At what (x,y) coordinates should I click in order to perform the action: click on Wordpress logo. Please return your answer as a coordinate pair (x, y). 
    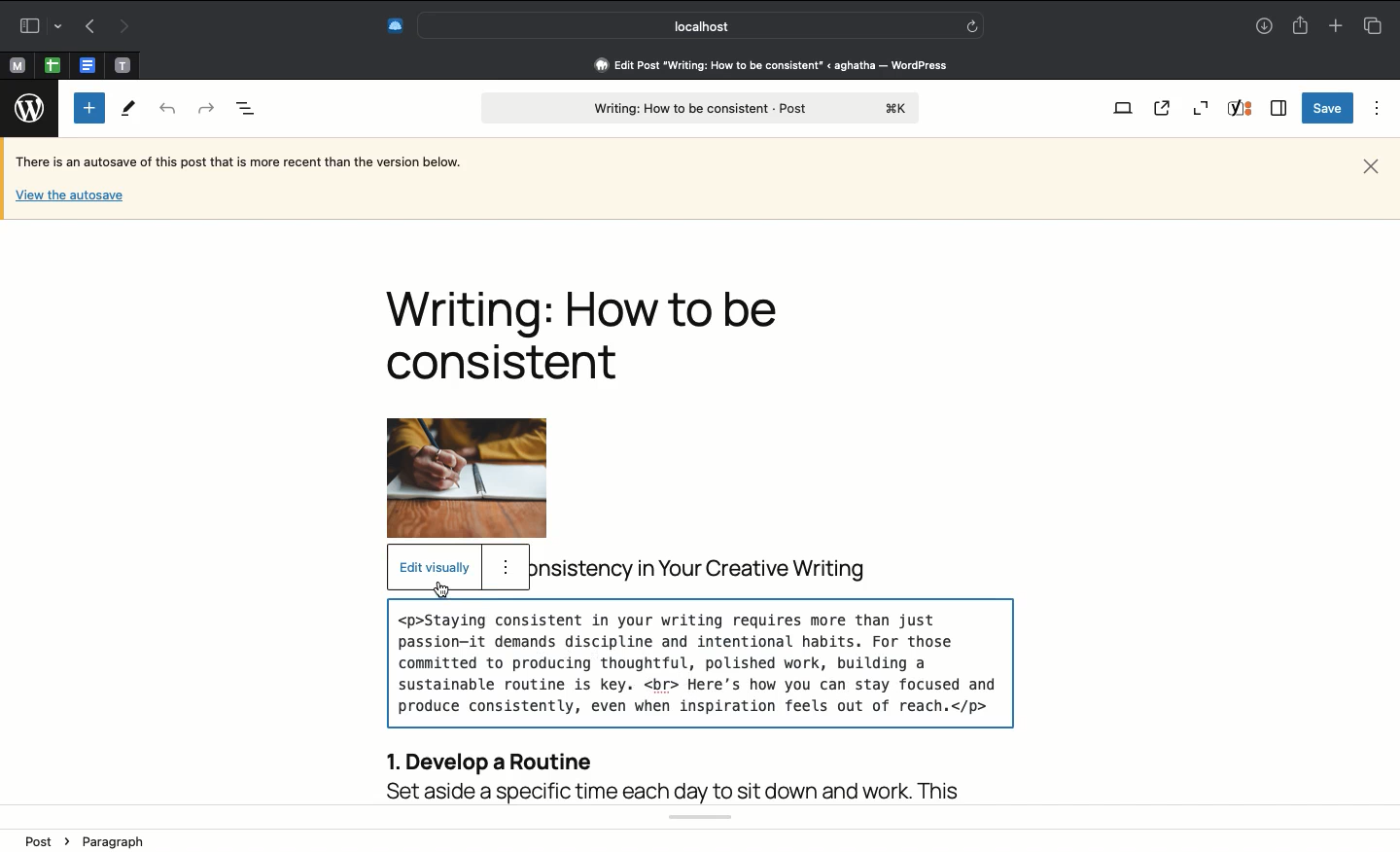
    Looking at the image, I should click on (29, 110).